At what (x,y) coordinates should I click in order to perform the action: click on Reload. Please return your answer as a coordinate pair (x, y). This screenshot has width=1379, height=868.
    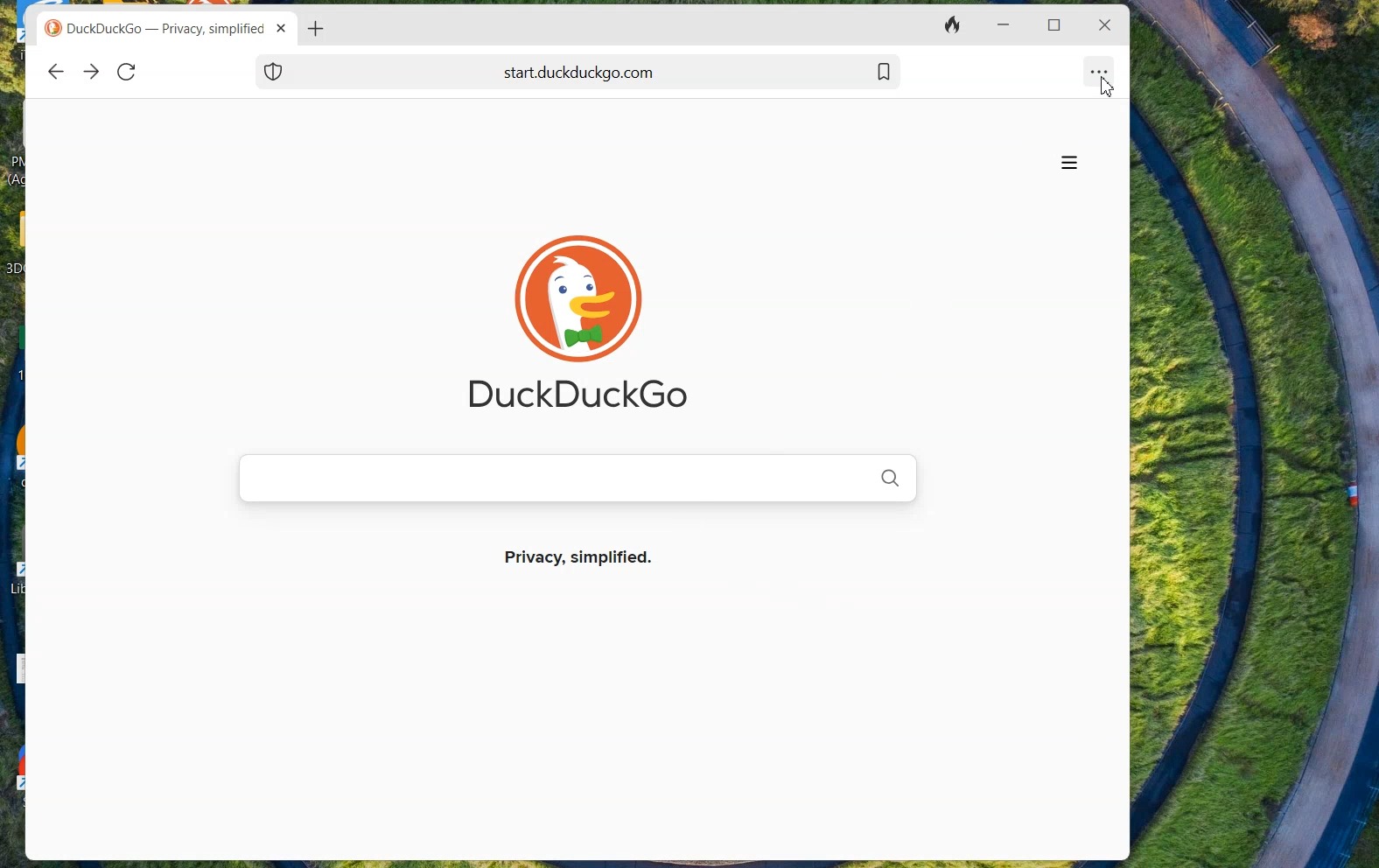
    Looking at the image, I should click on (127, 71).